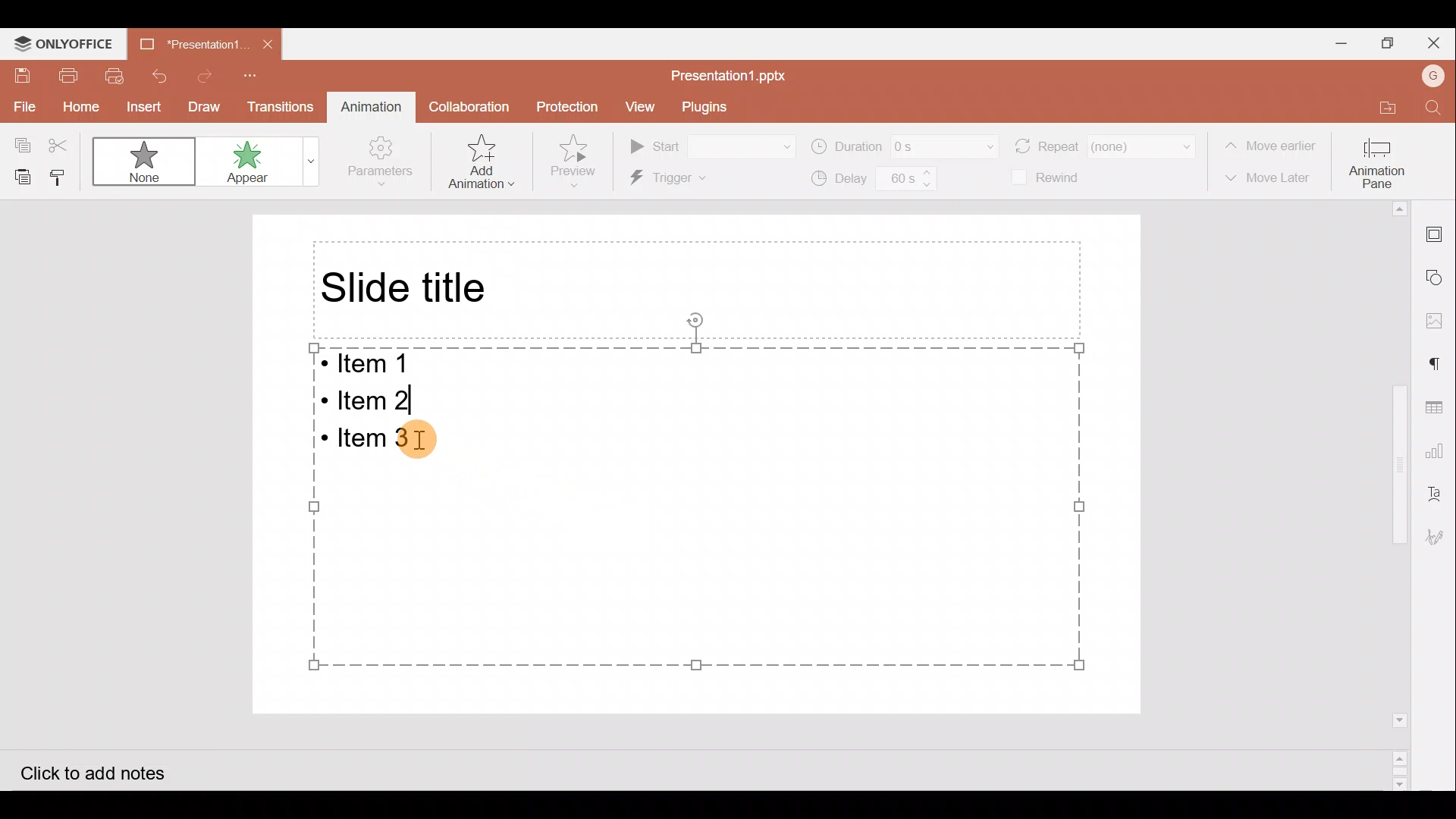  What do you see at coordinates (1391, 45) in the screenshot?
I see `Maximize` at bounding box center [1391, 45].